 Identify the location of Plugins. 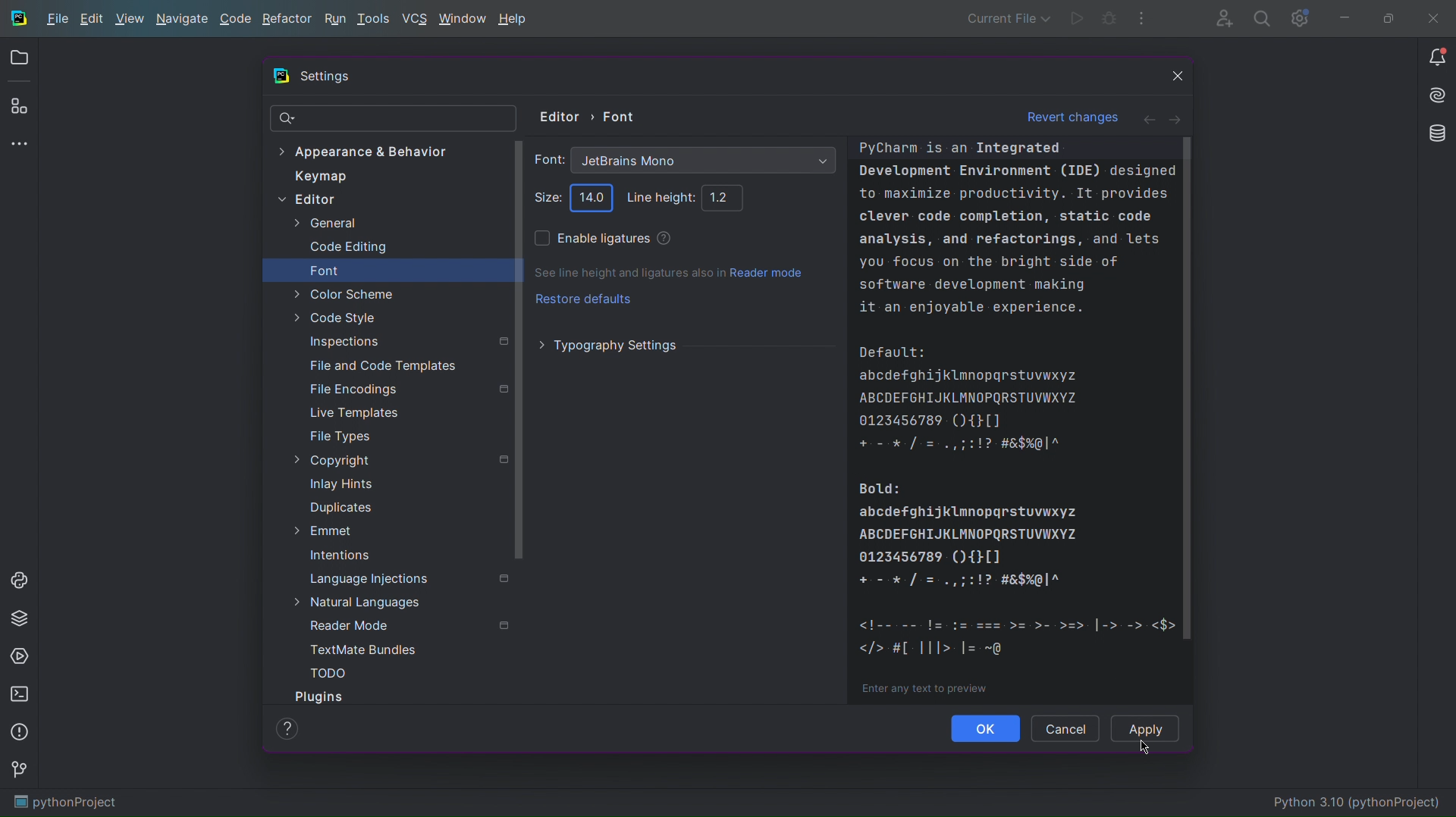
(322, 696).